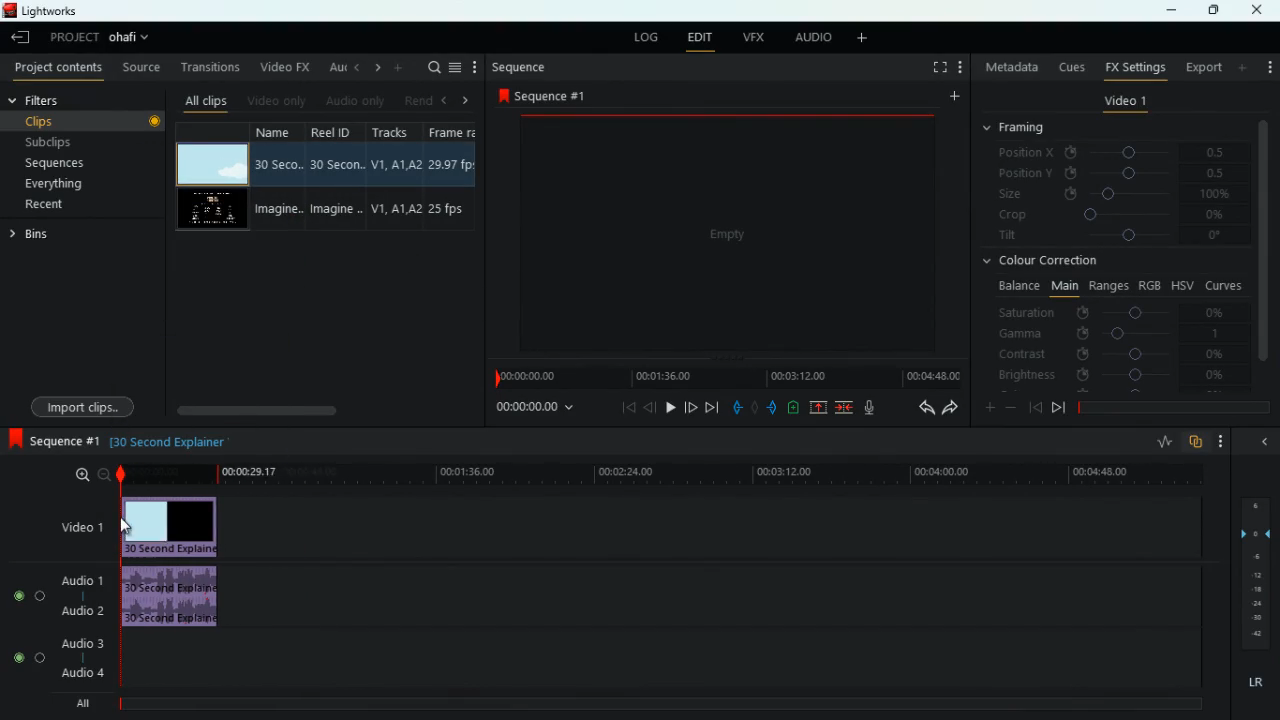  What do you see at coordinates (1258, 634) in the screenshot?
I see `-42 (layer)` at bounding box center [1258, 634].